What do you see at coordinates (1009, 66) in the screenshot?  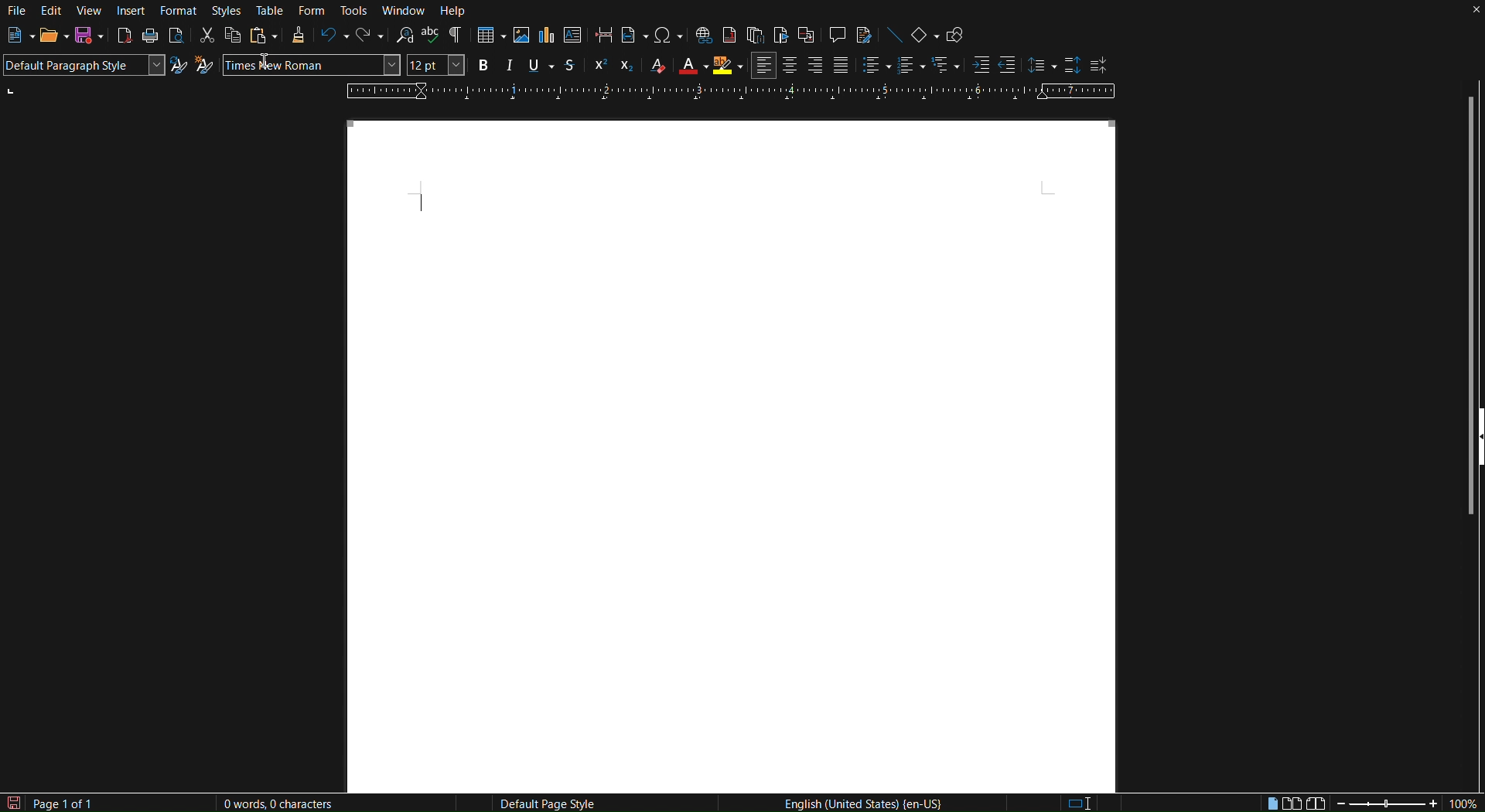 I see `Decrease Indent` at bounding box center [1009, 66].